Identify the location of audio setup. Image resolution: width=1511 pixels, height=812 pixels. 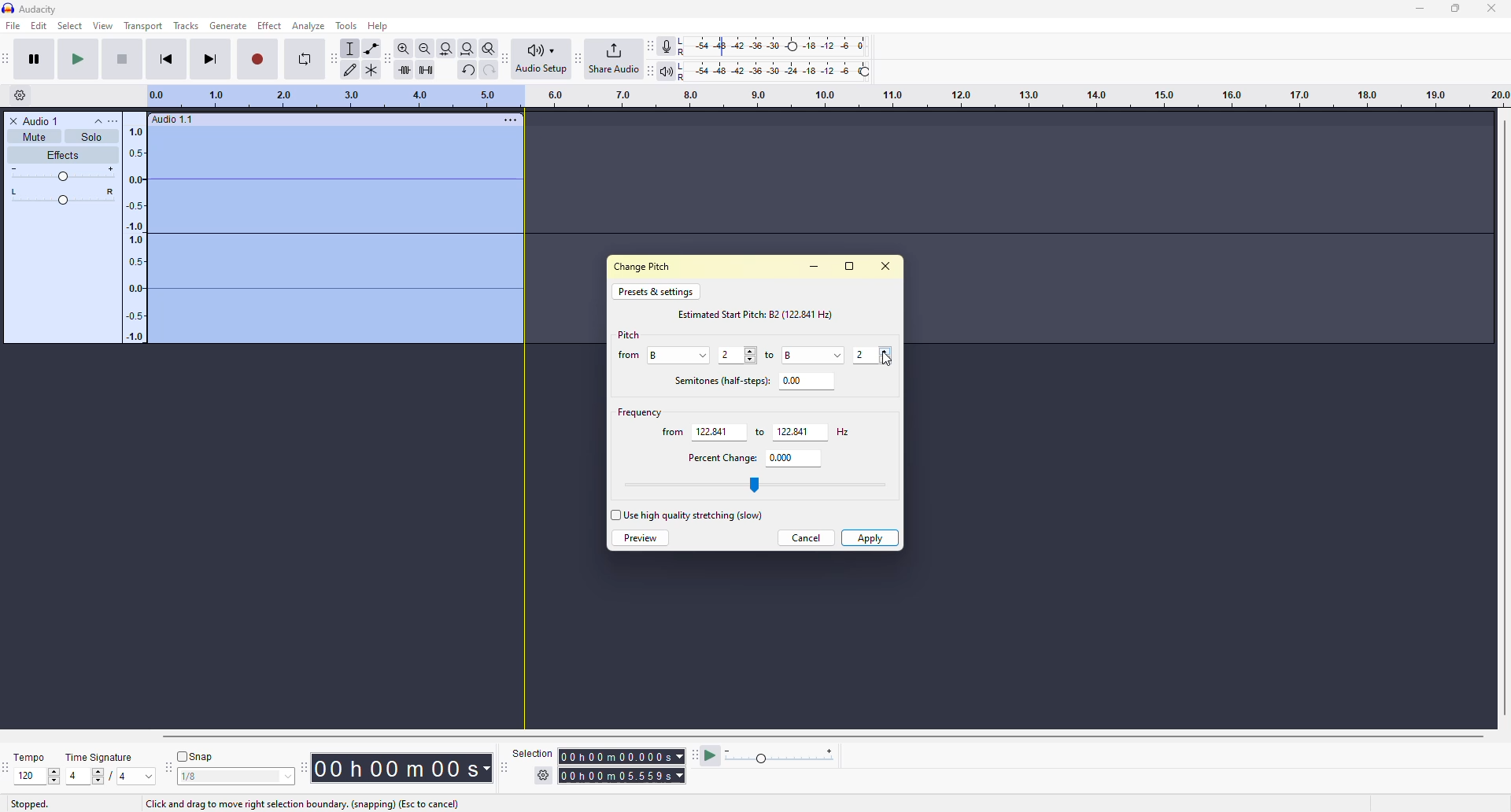
(541, 58).